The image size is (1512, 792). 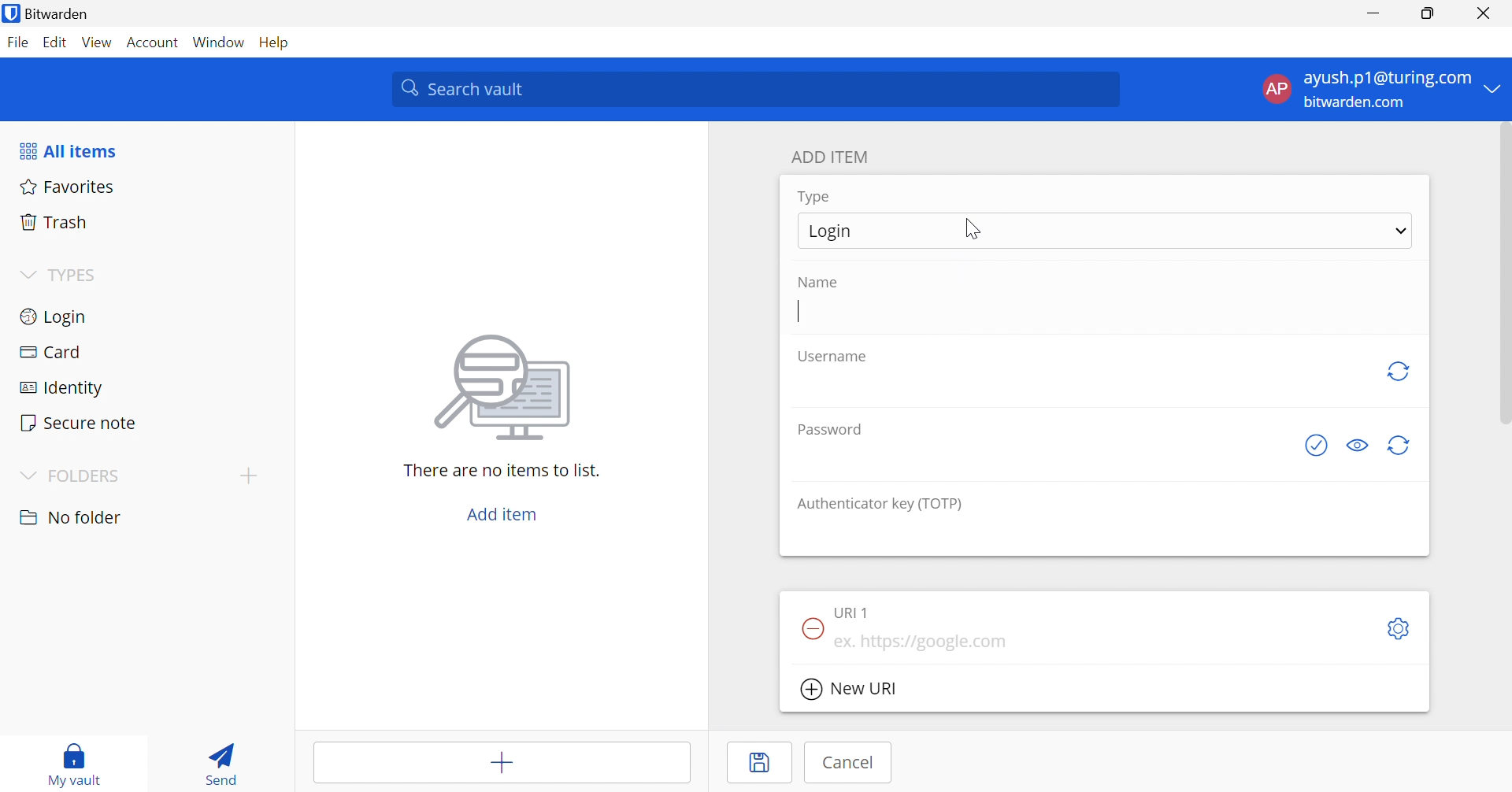 I want to click on nO FOLDER, so click(x=74, y=517).